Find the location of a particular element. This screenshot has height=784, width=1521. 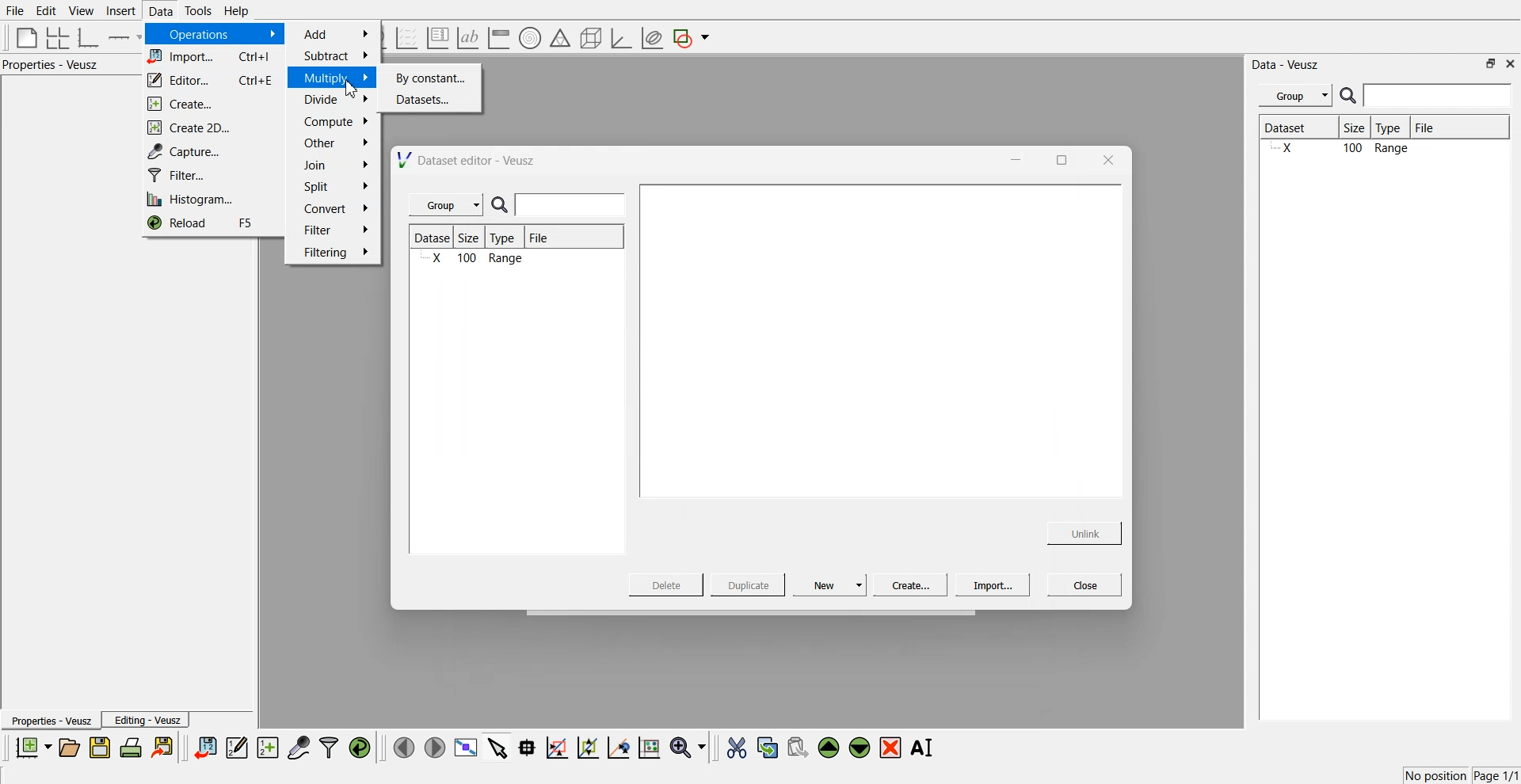

paste the selected widgets is located at coordinates (796, 747).